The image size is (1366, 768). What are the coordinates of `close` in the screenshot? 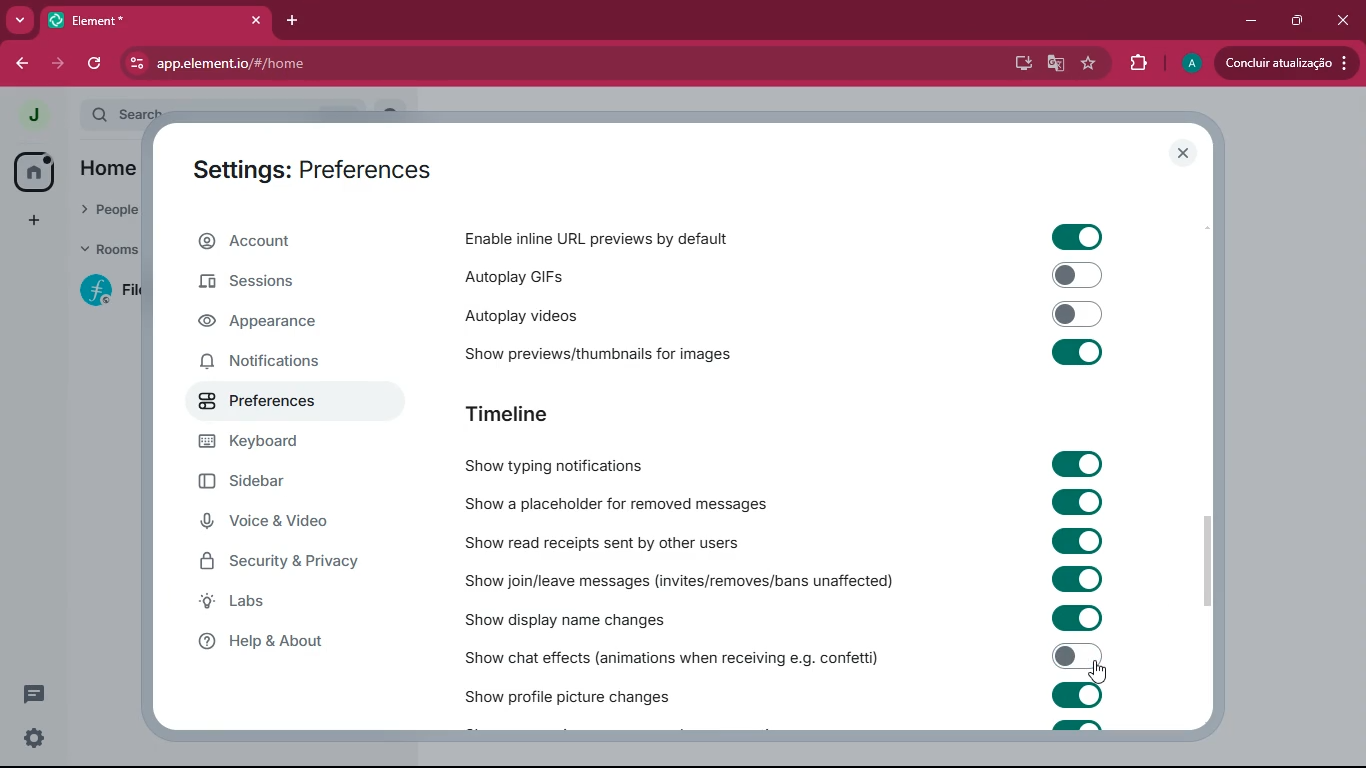 It's located at (1184, 153).